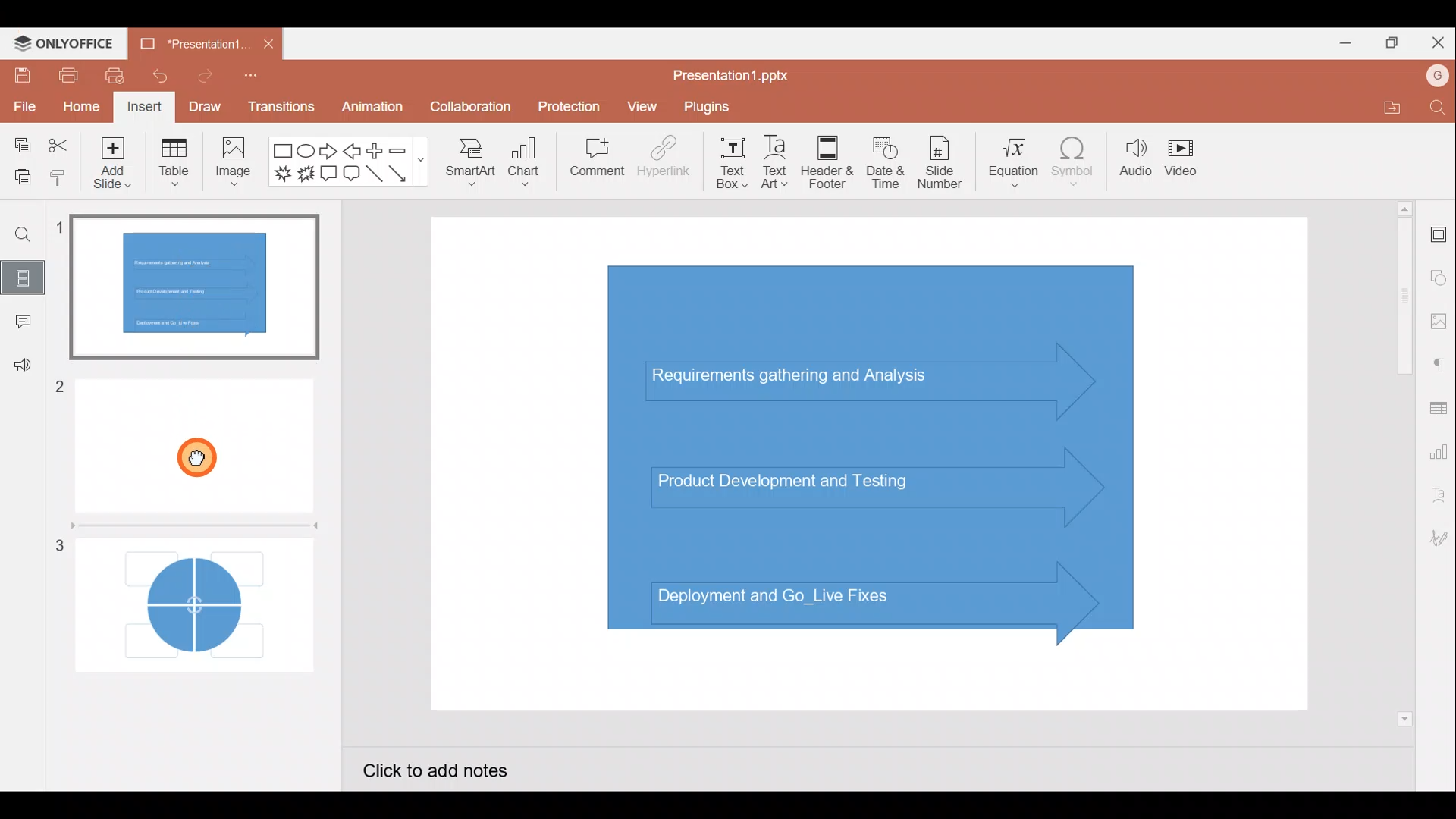 The image size is (1456, 819). What do you see at coordinates (279, 106) in the screenshot?
I see `Transitions` at bounding box center [279, 106].